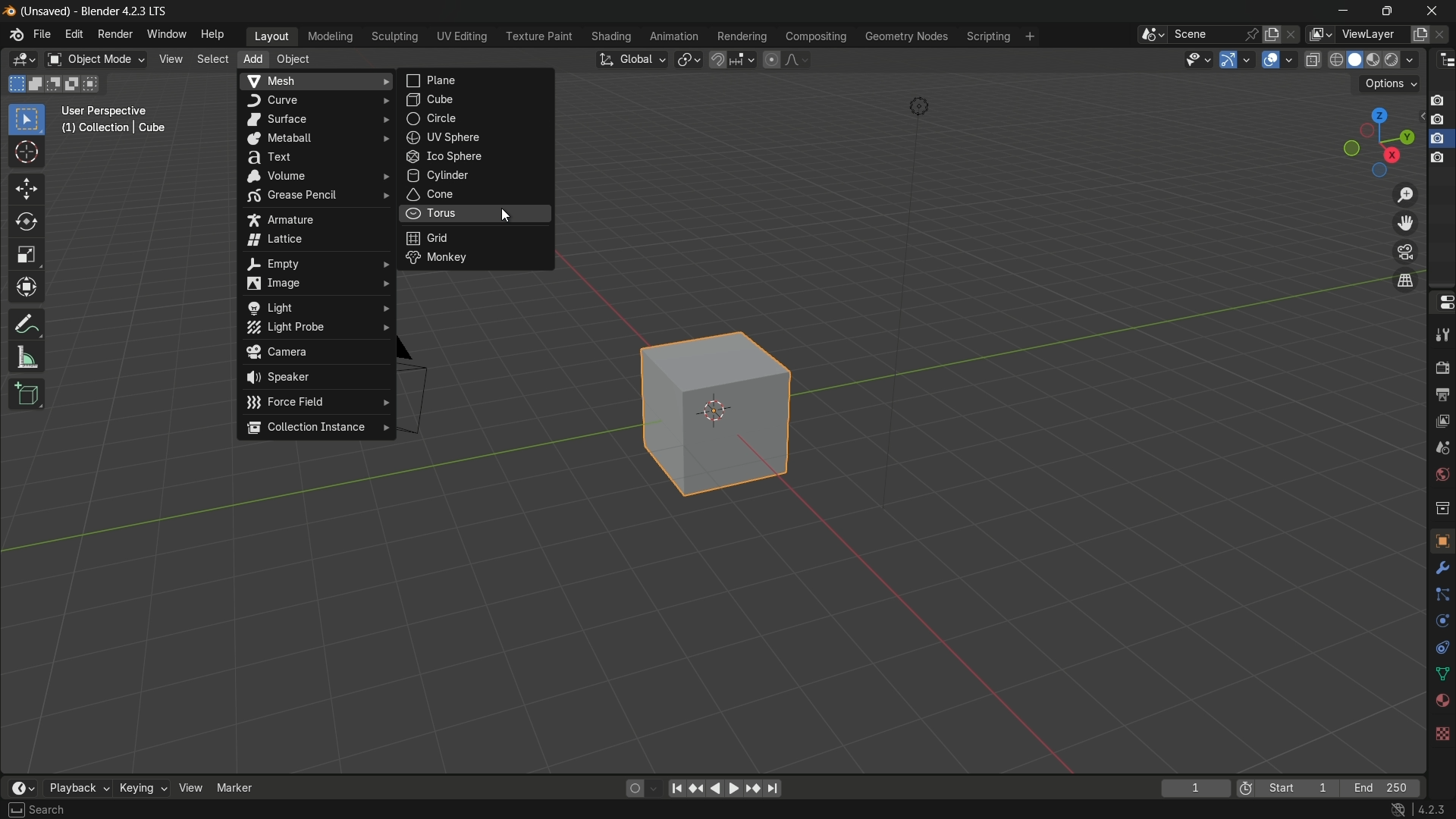 This screenshot has width=1456, height=819. Describe the element at coordinates (755, 789) in the screenshot. I see `jump to keyframe` at that location.